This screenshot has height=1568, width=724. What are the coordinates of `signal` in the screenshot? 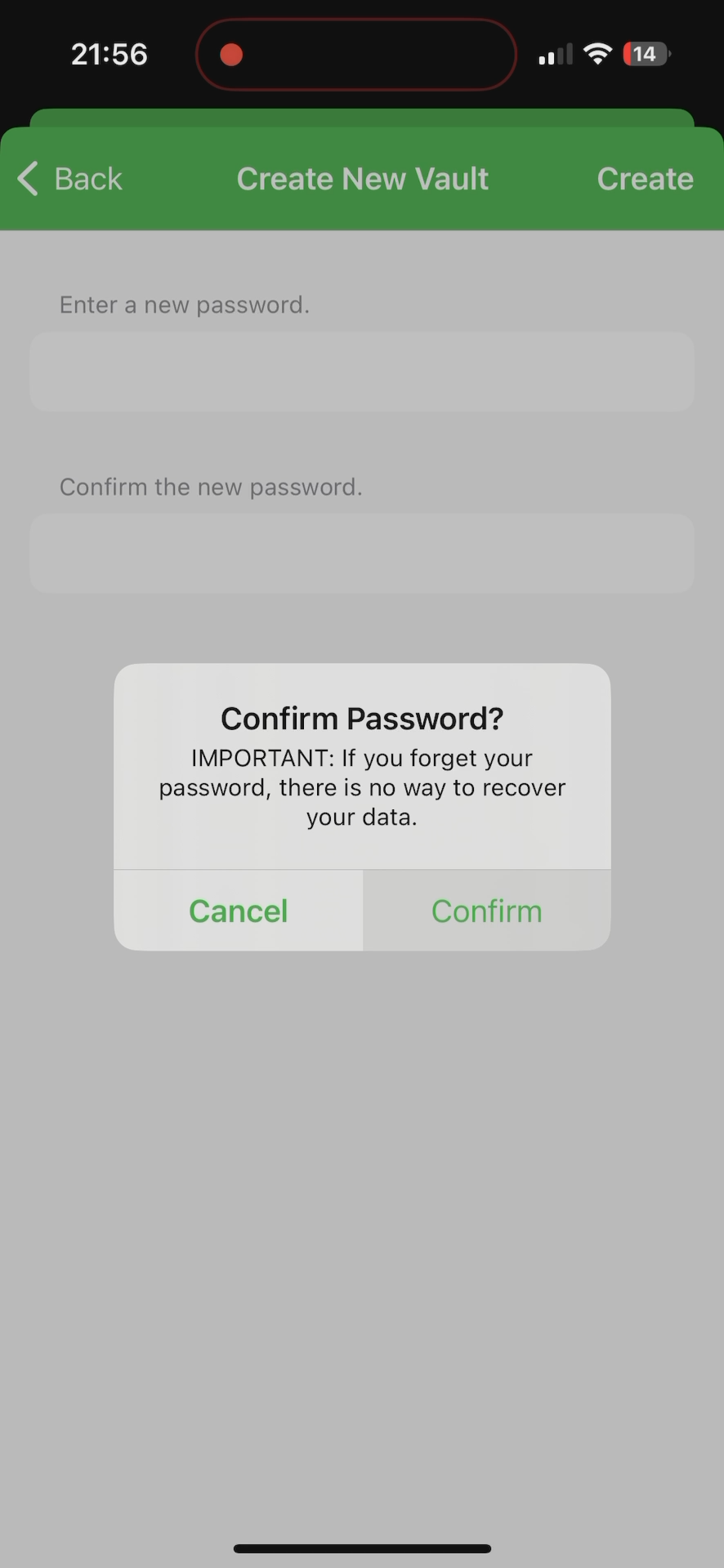 It's located at (553, 55).